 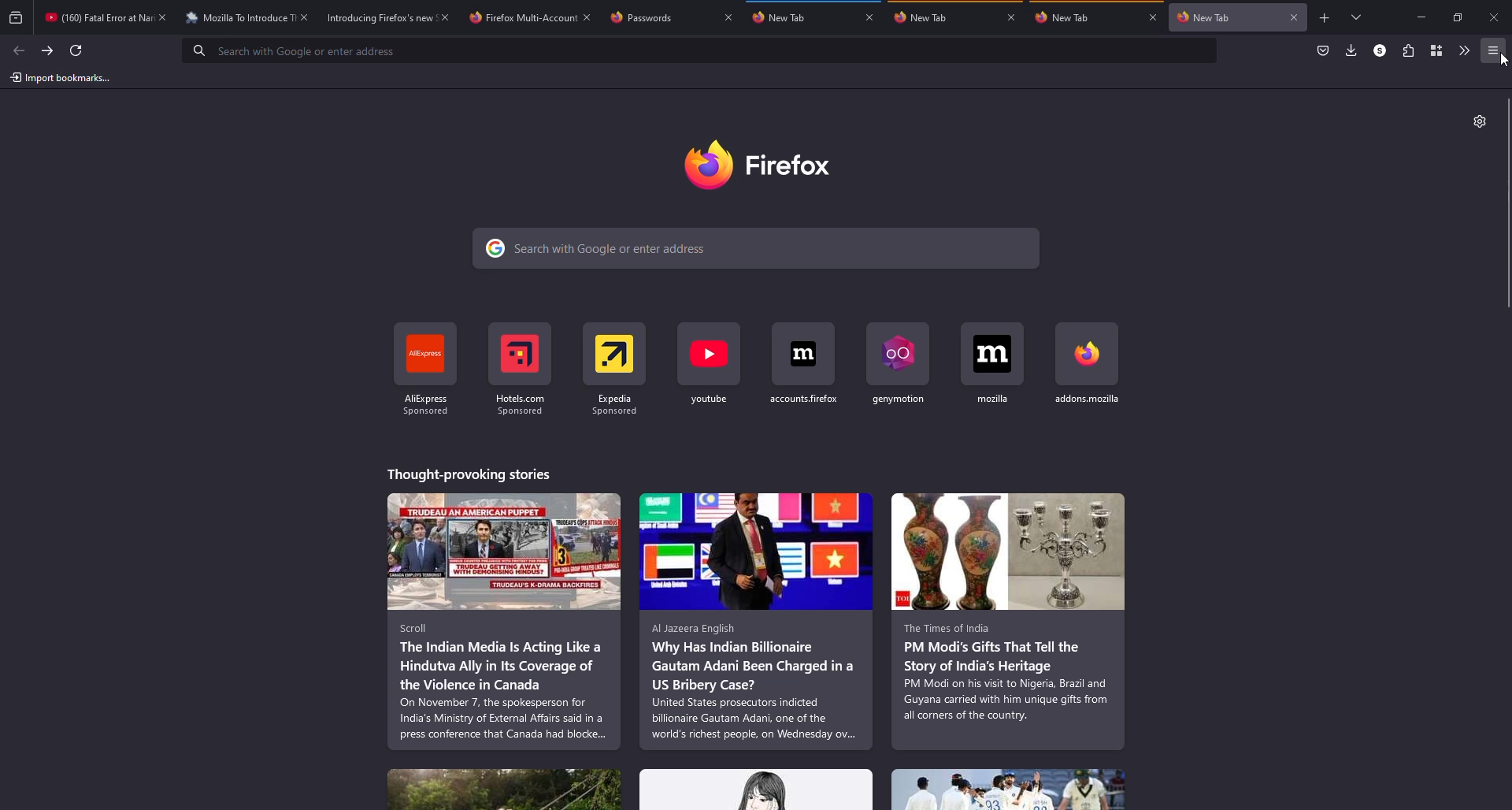 What do you see at coordinates (15, 47) in the screenshot?
I see `back` at bounding box center [15, 47].